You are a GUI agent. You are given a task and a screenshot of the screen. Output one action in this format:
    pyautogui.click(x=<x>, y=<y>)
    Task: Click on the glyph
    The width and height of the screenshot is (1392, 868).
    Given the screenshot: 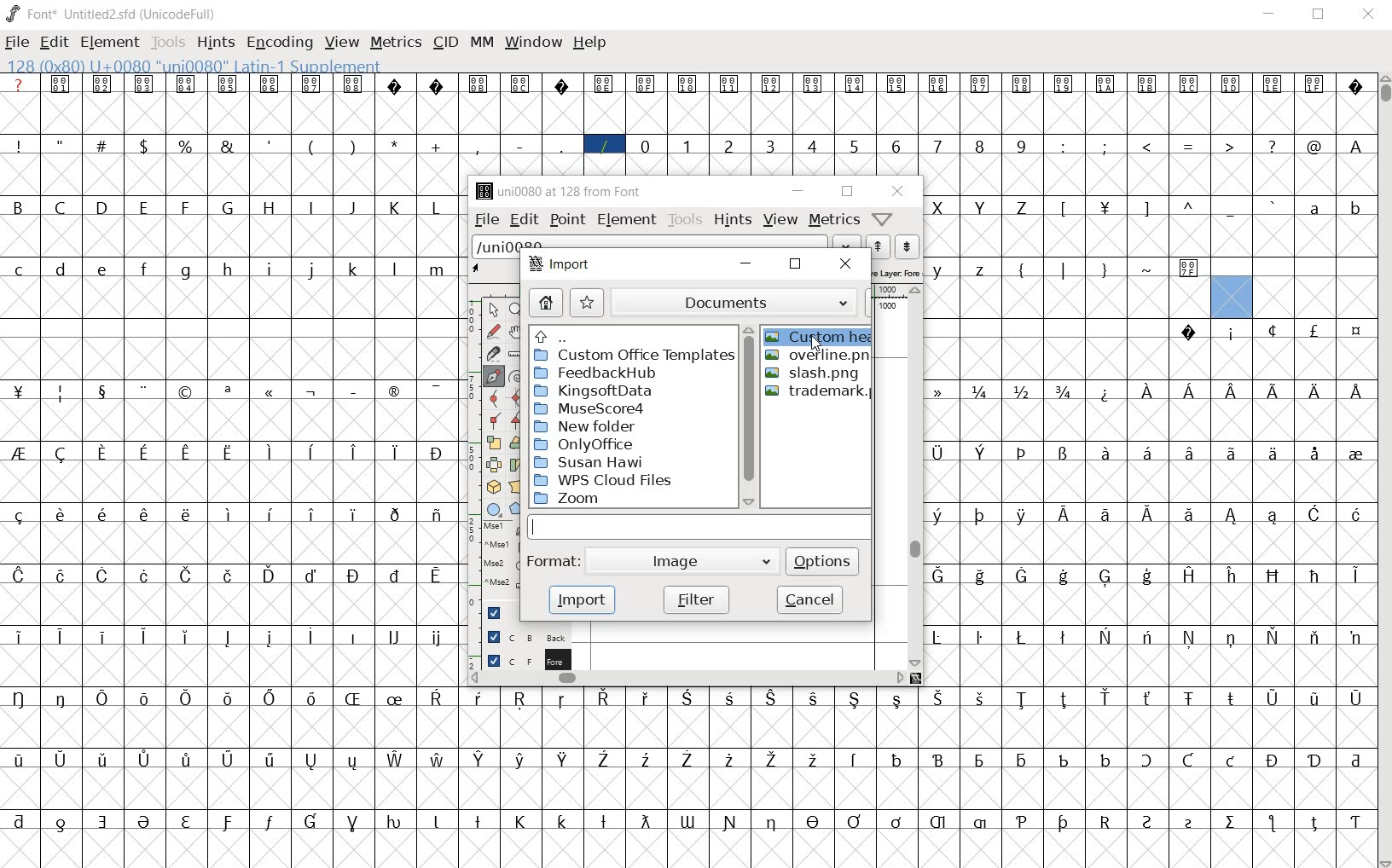 What is the action you would take?
    pyautogui.click(x=1356, y=514)
    